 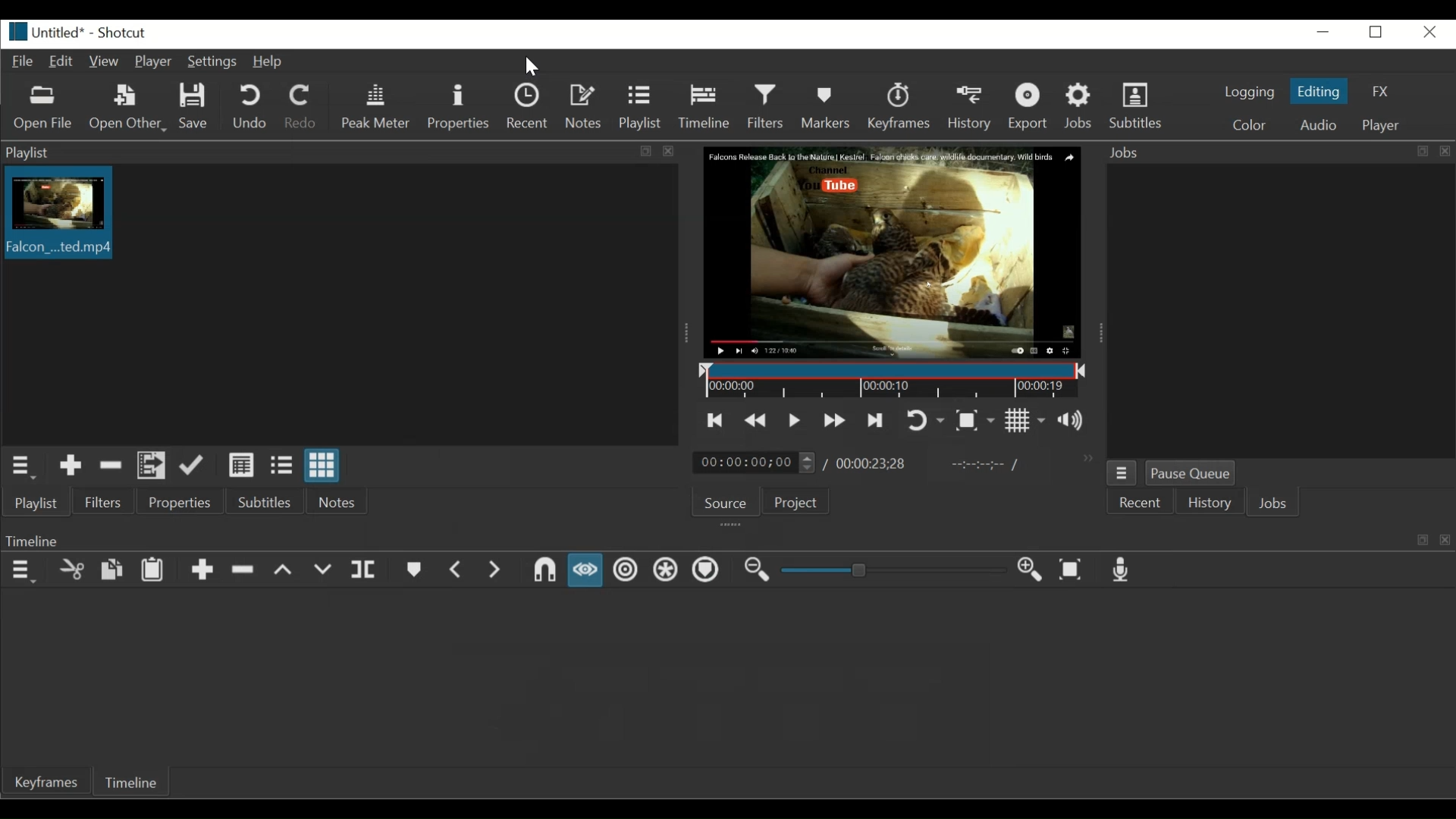 I want to click on Falcon...ted.mp4(Clip thumbnail), so click(x=58, y=215).